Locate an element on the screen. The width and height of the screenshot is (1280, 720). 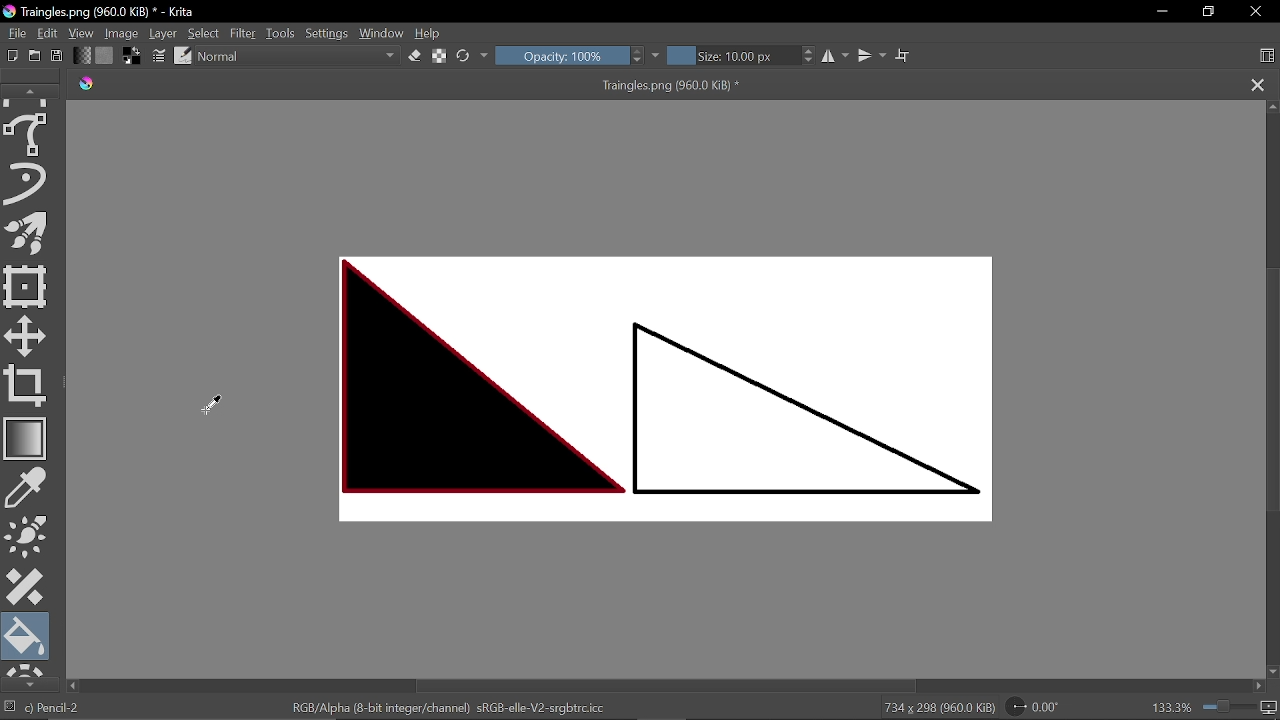
Layer is located at coordinates (164, 34).